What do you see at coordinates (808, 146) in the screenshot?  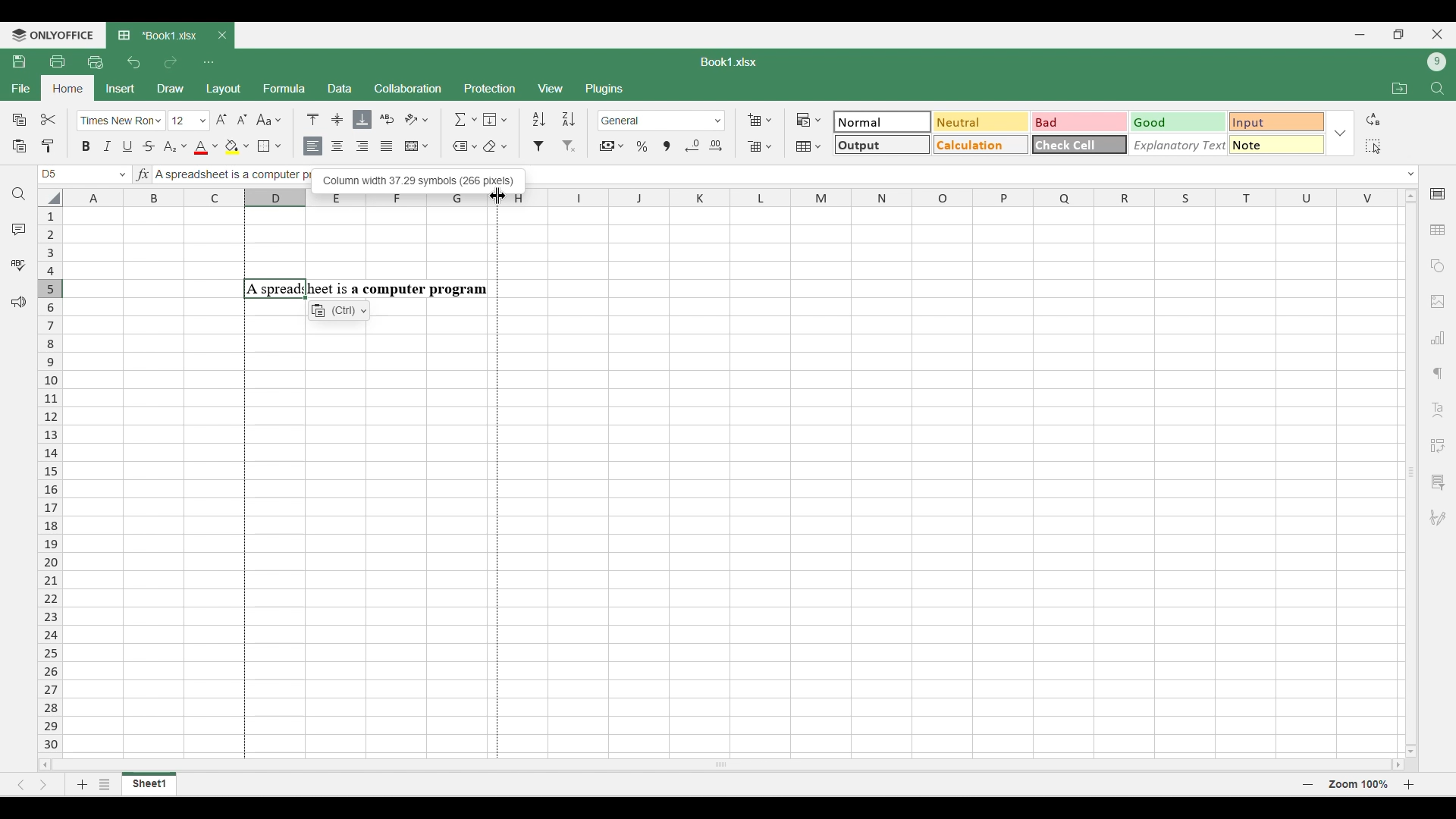 I see `Format as table options` at bounding box center [808, 146].